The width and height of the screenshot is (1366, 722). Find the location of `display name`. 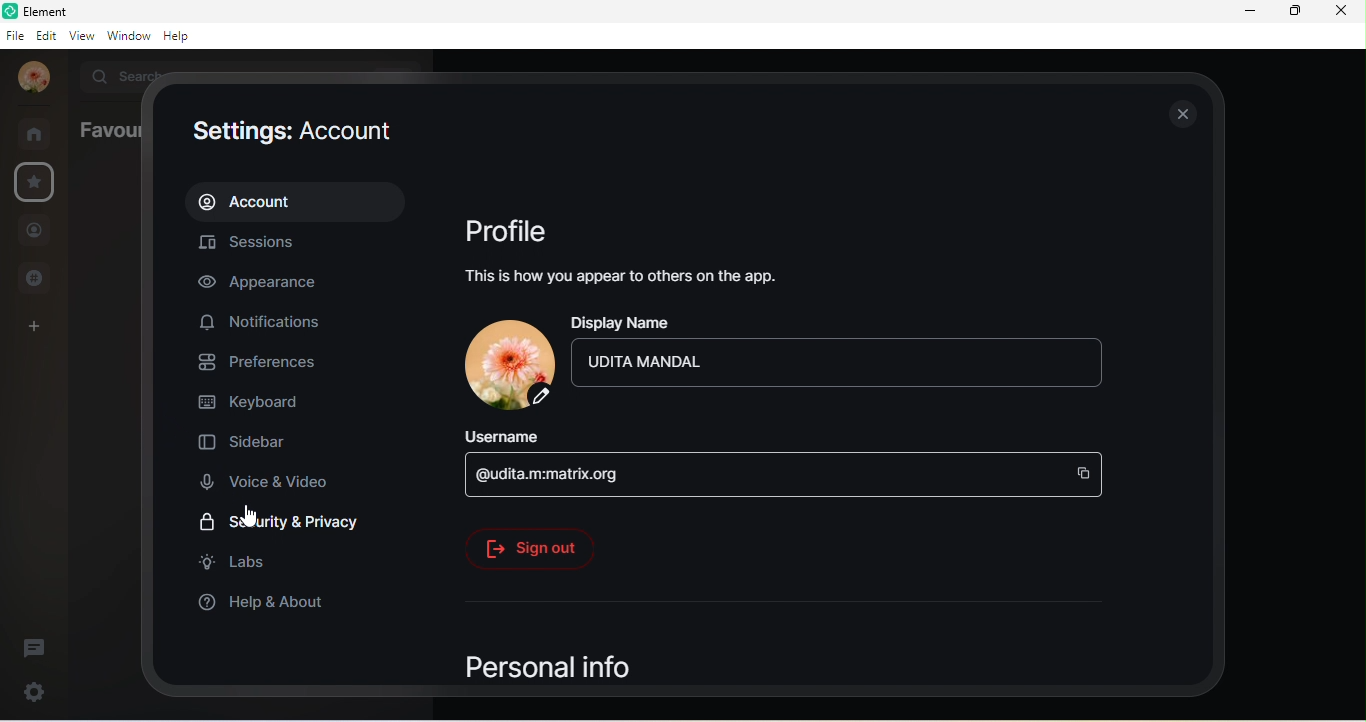

display name is located at coordinates (633, 321).